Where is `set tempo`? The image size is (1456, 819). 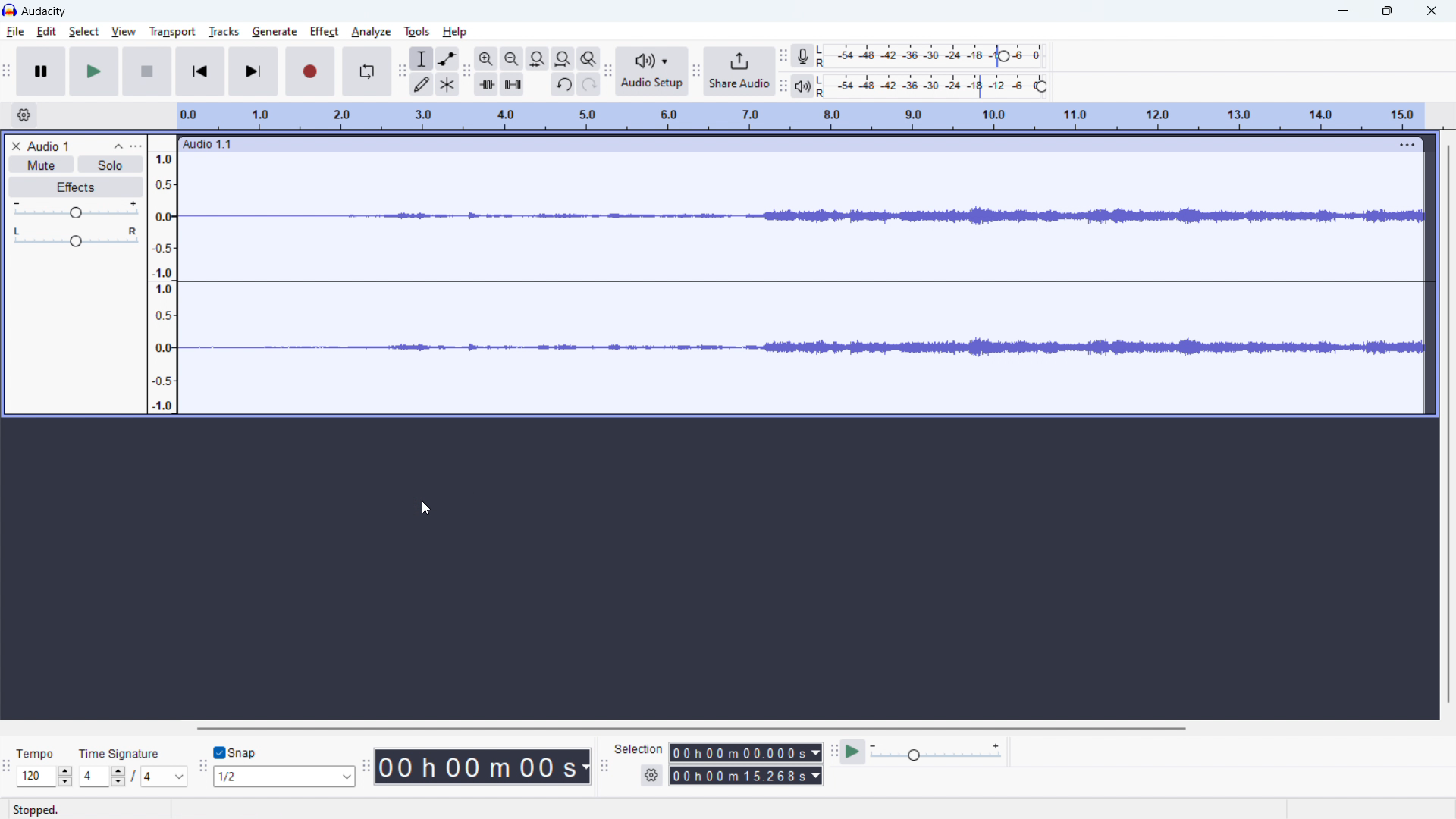 set tempo is located at coordinates (45, 777).